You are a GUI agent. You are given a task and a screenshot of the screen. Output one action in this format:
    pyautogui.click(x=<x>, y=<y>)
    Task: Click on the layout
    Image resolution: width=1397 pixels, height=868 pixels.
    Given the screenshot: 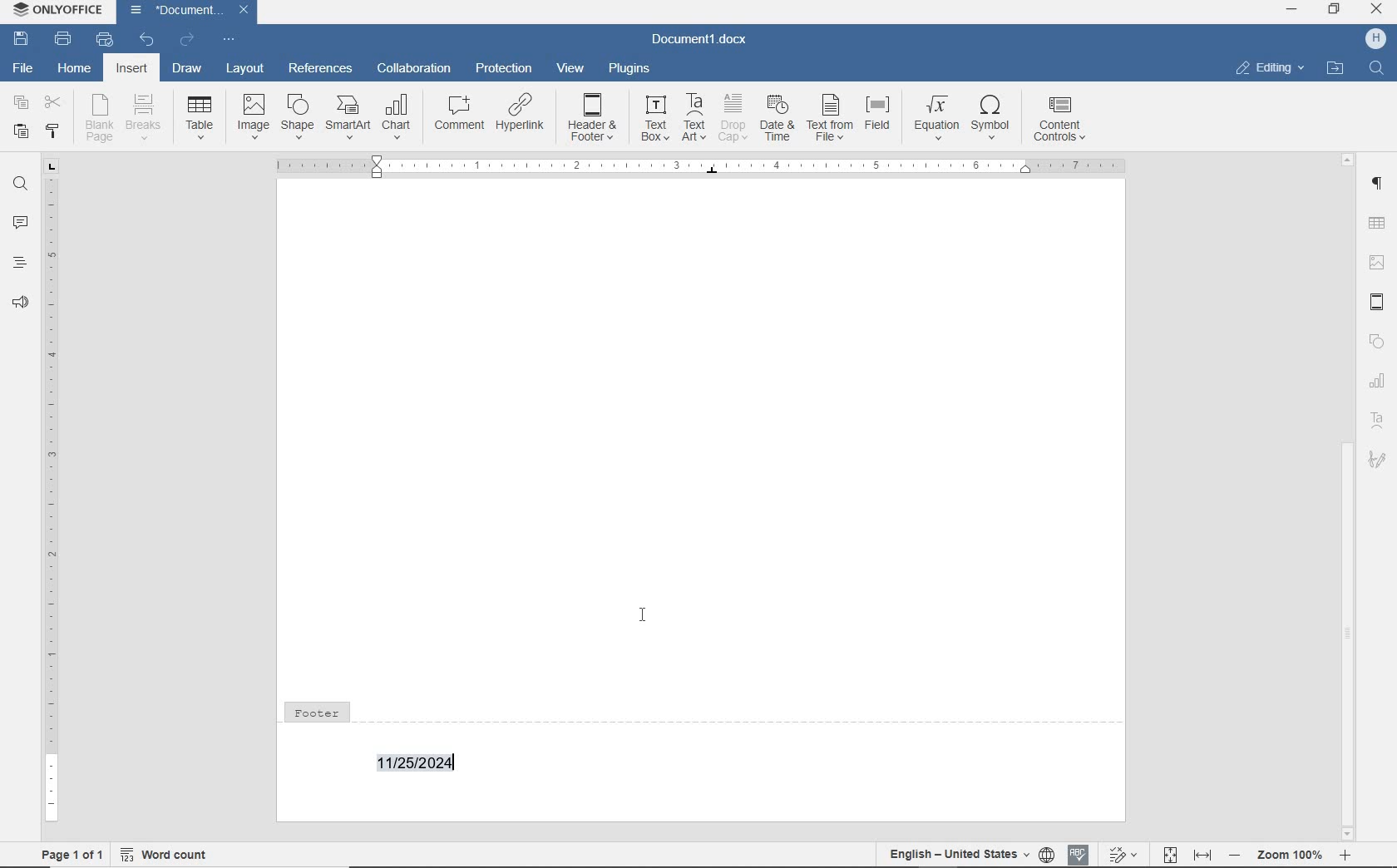 What is the action you would take?
    pyautogui.click(x=245, y=70)
    